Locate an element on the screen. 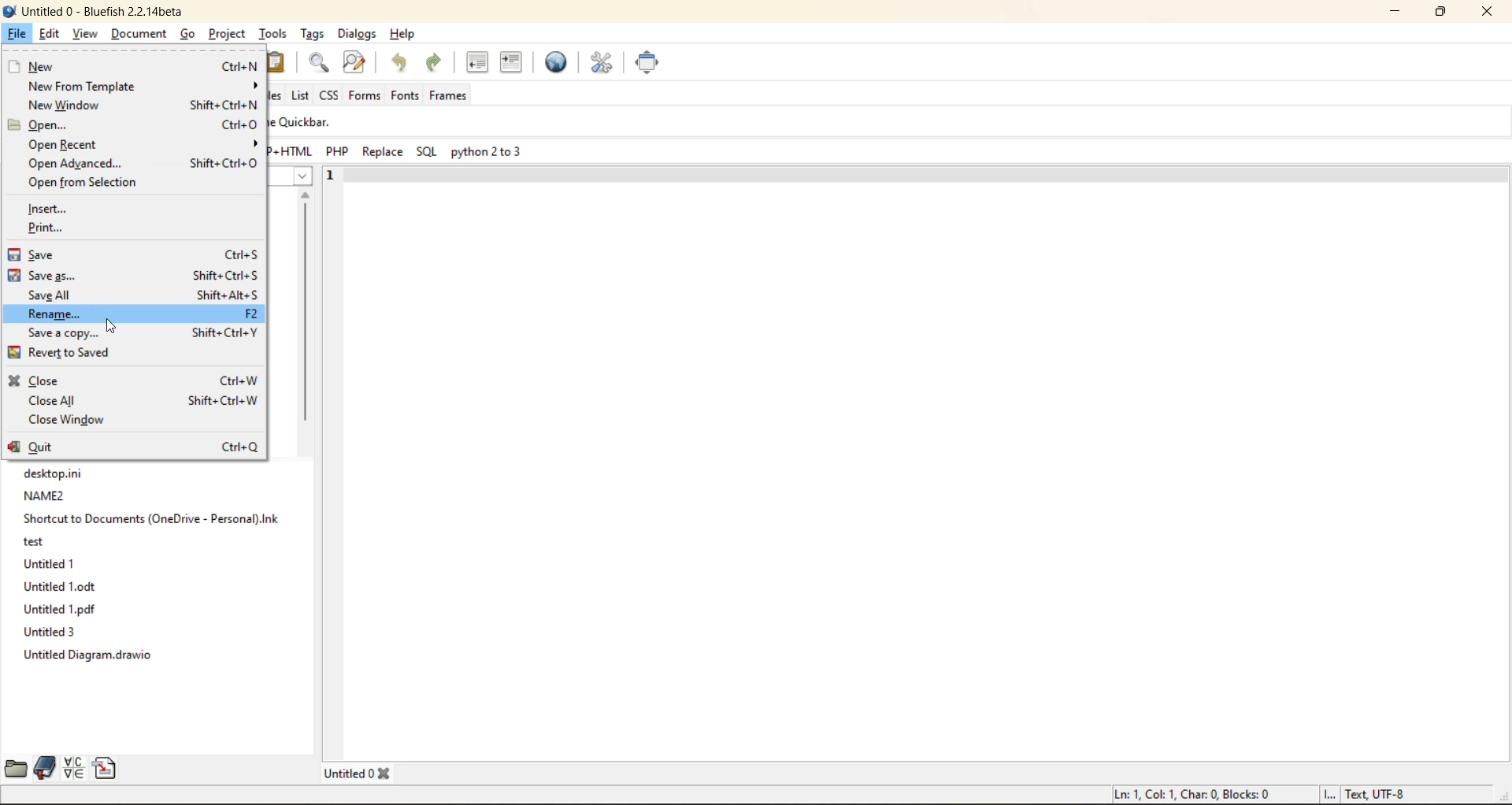  open is located at coordinates (51, 125).